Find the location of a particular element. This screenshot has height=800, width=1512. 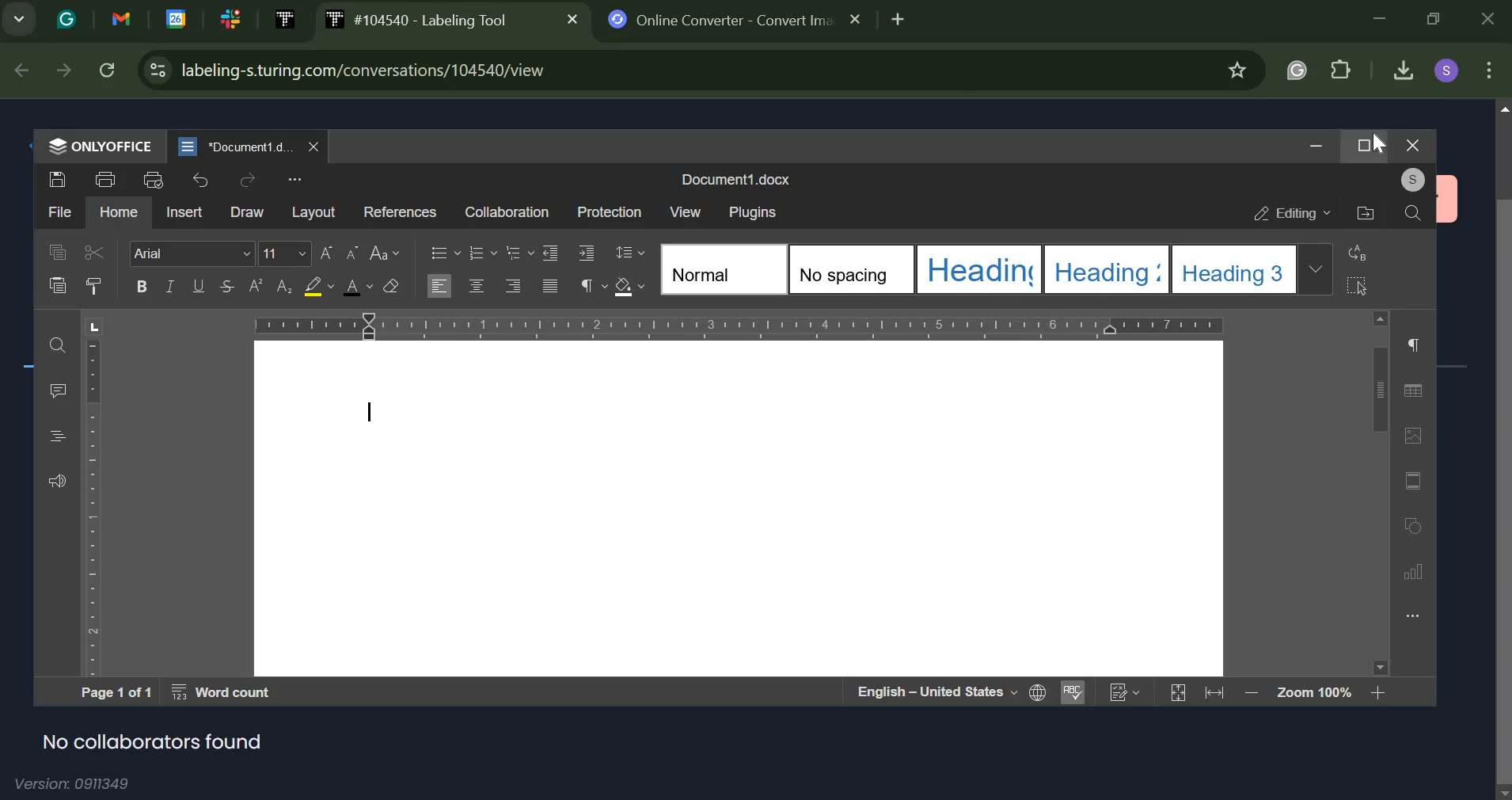

Version: 0911349 is located at coordinates (75, 784).